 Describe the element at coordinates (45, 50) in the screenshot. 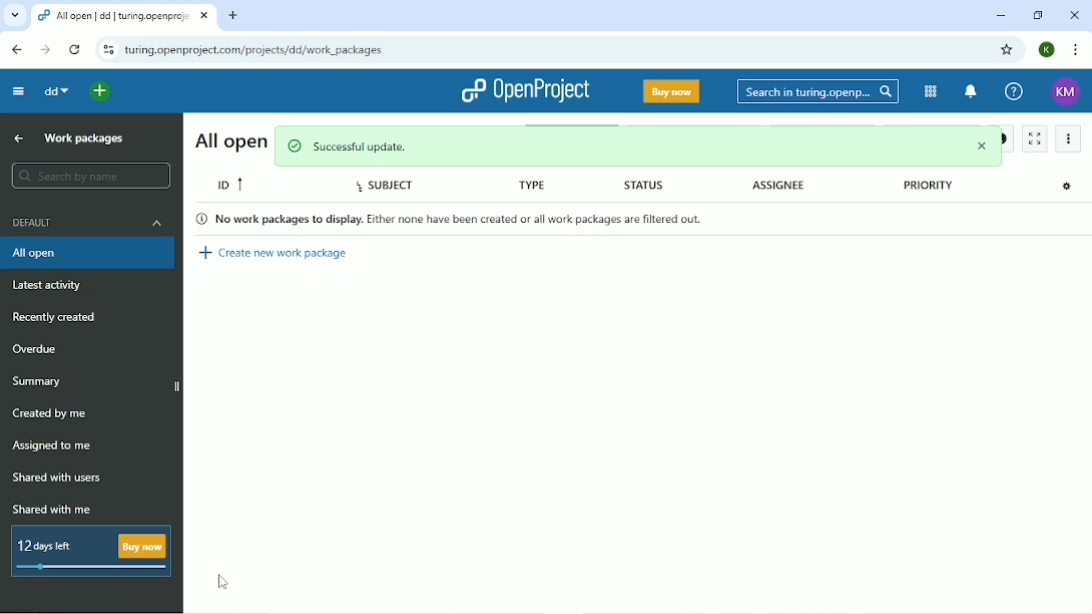

I see `Forward` at that location.